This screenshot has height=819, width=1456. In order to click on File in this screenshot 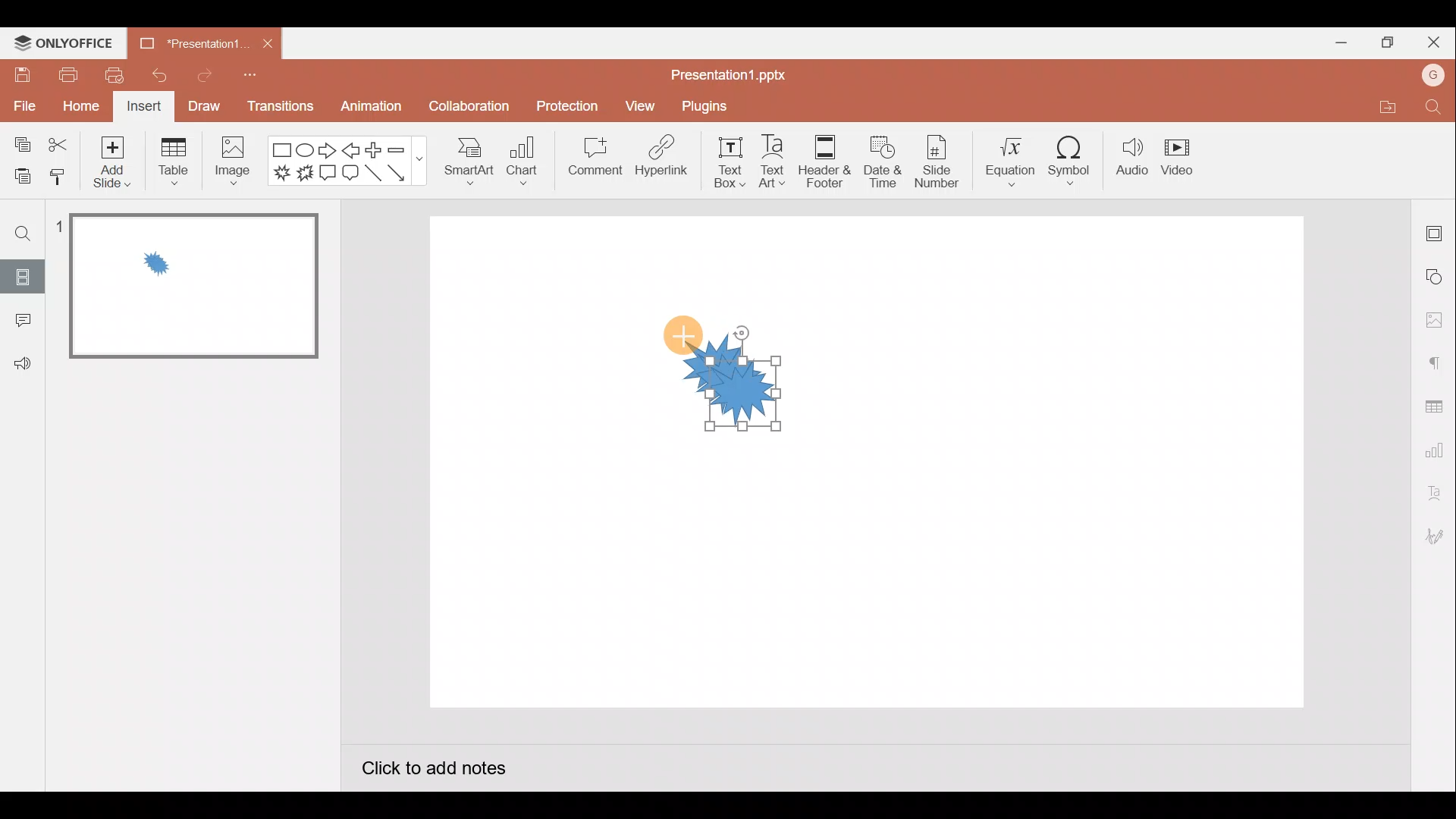, I will do `click(23, 108)`.